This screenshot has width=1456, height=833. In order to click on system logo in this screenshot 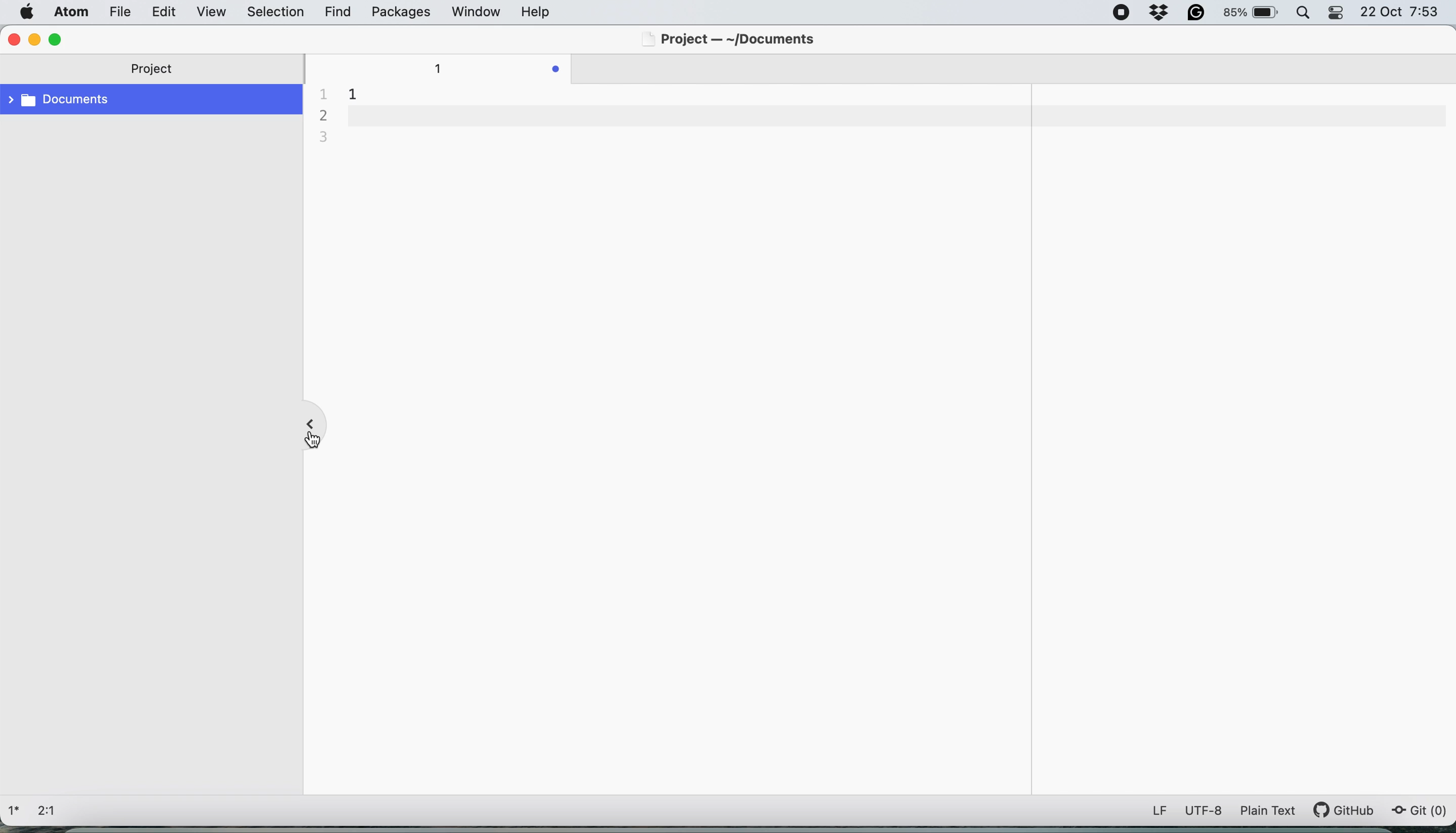, I will do `click(29, 12)`.